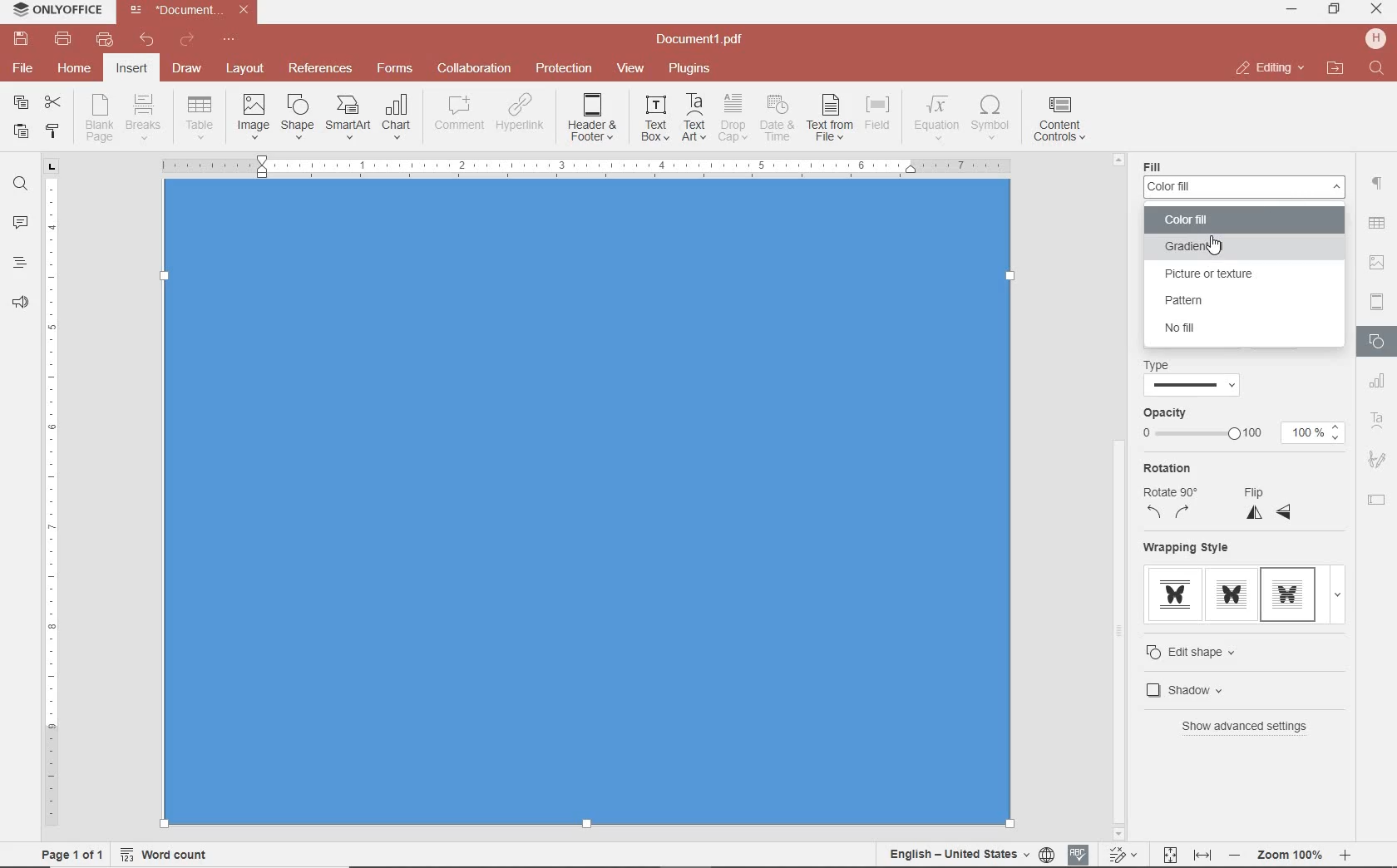  I want to click on THROUGH, so click(1229, 649).